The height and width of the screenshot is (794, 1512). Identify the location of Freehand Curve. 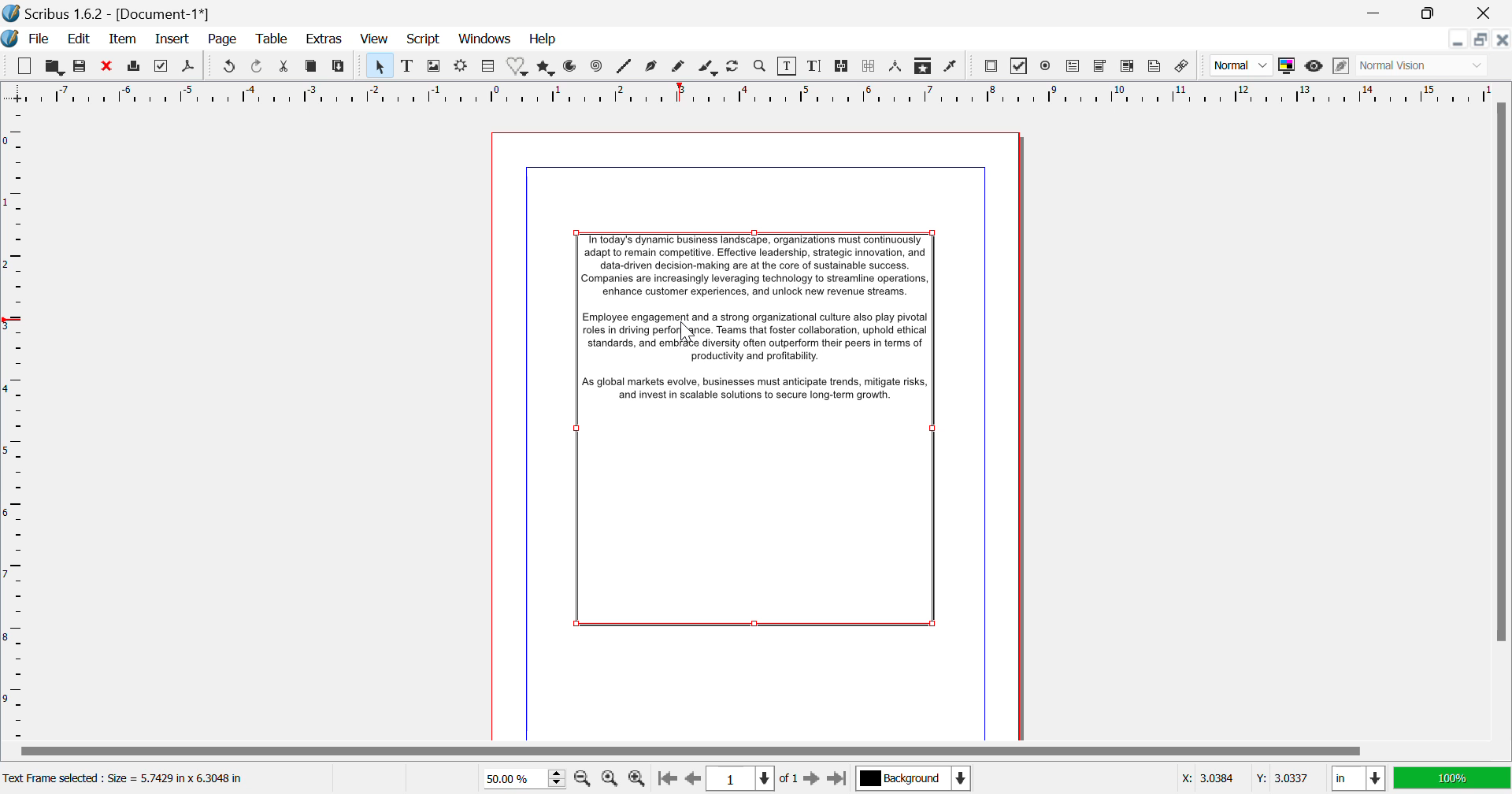
(676, 67).